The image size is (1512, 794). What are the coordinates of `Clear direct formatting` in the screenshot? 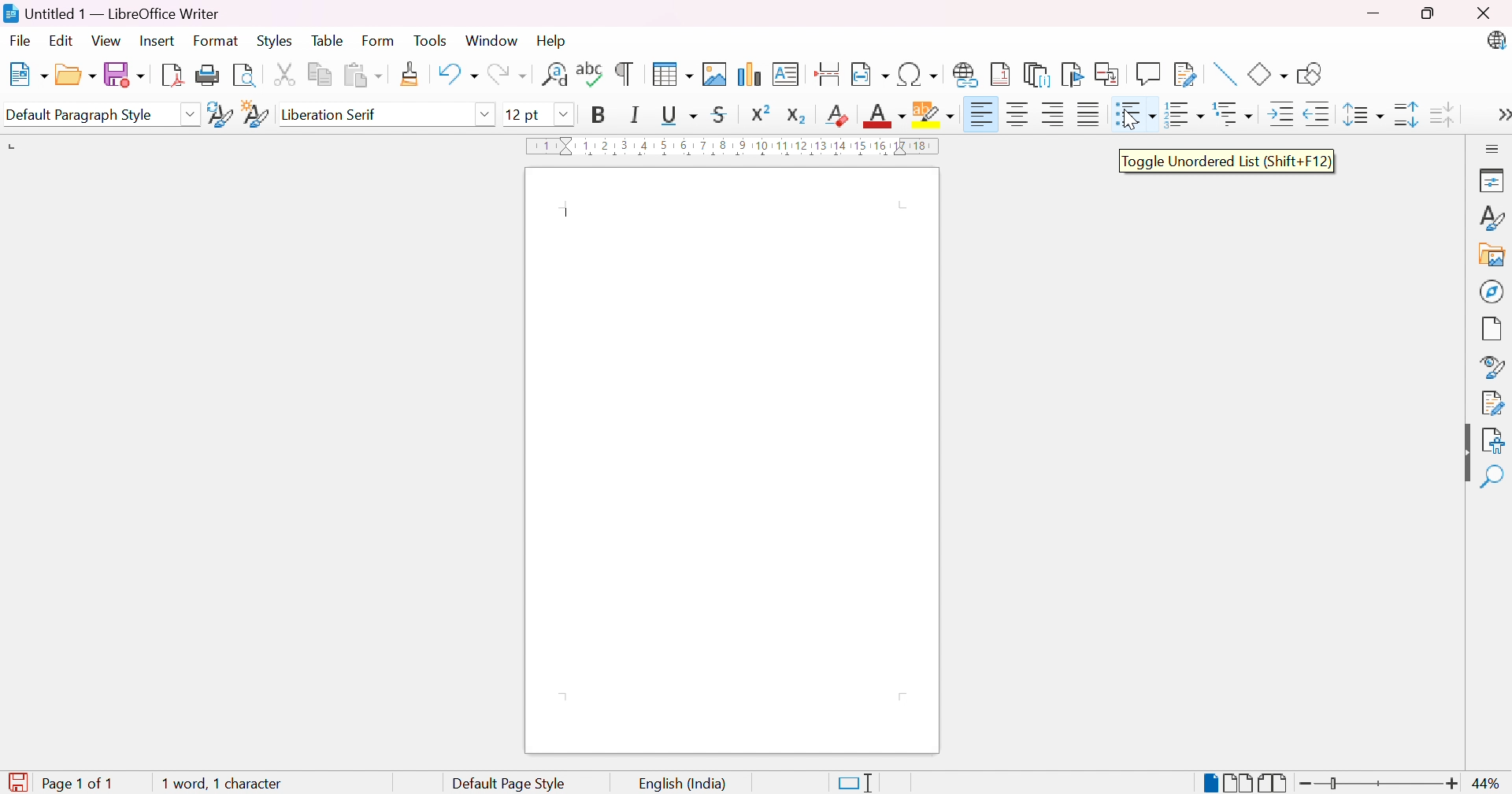 It's located at (837, 118).